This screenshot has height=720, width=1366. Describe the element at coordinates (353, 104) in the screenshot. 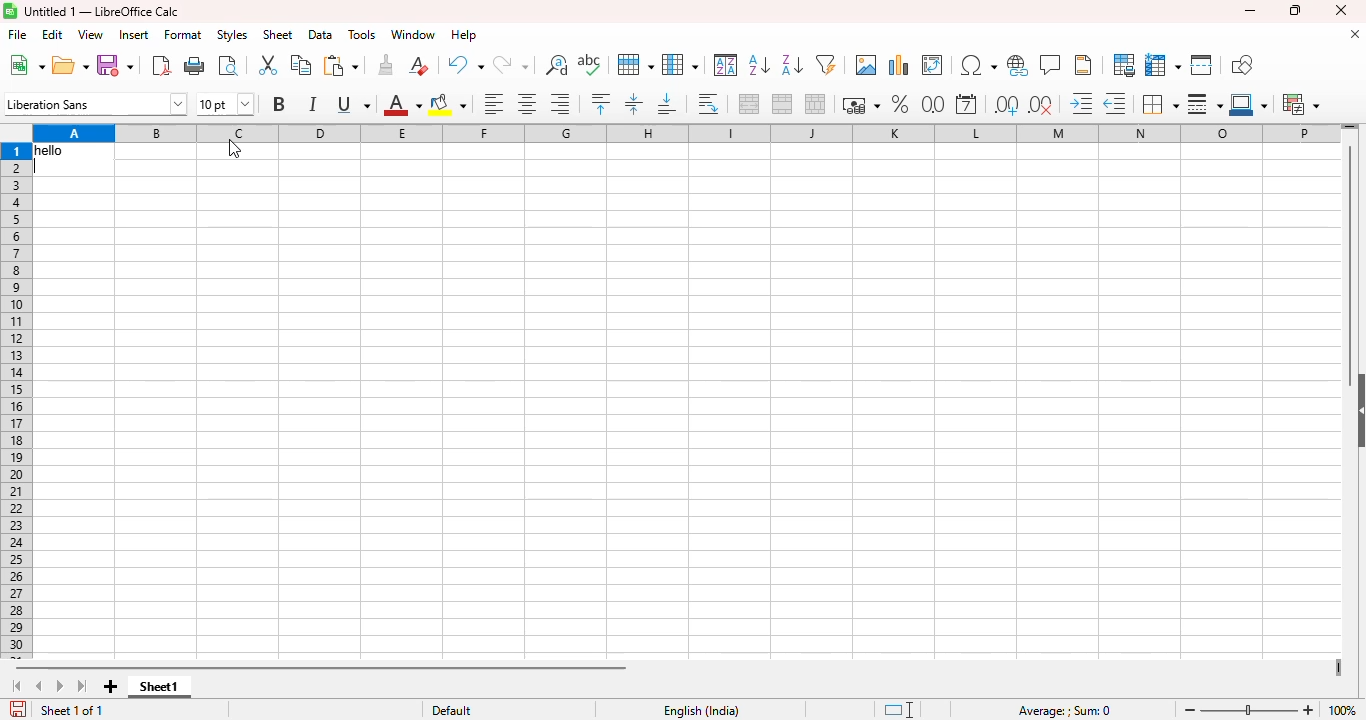

I see `underline` at that location.